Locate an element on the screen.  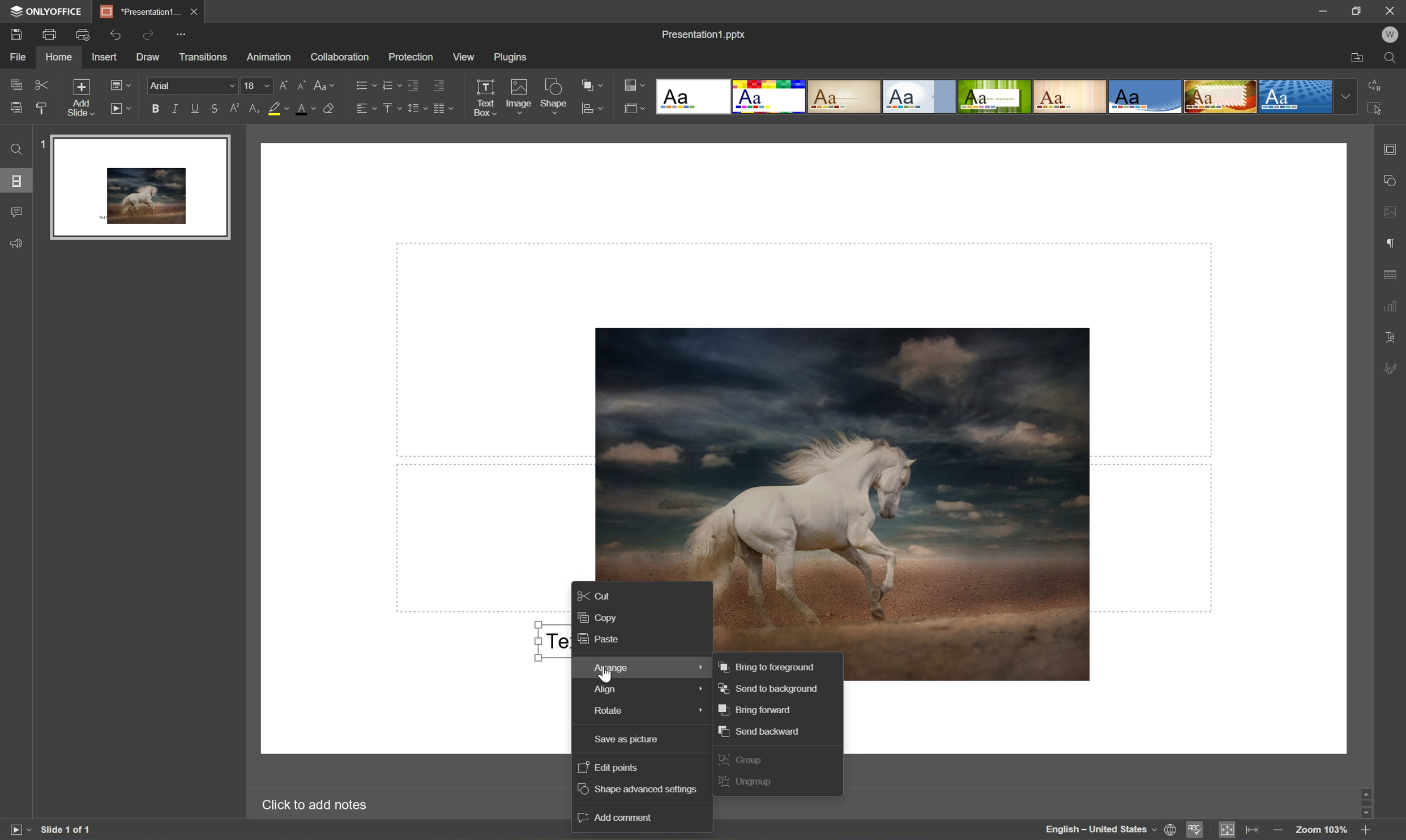
Official is located at coordinates (920, 96).